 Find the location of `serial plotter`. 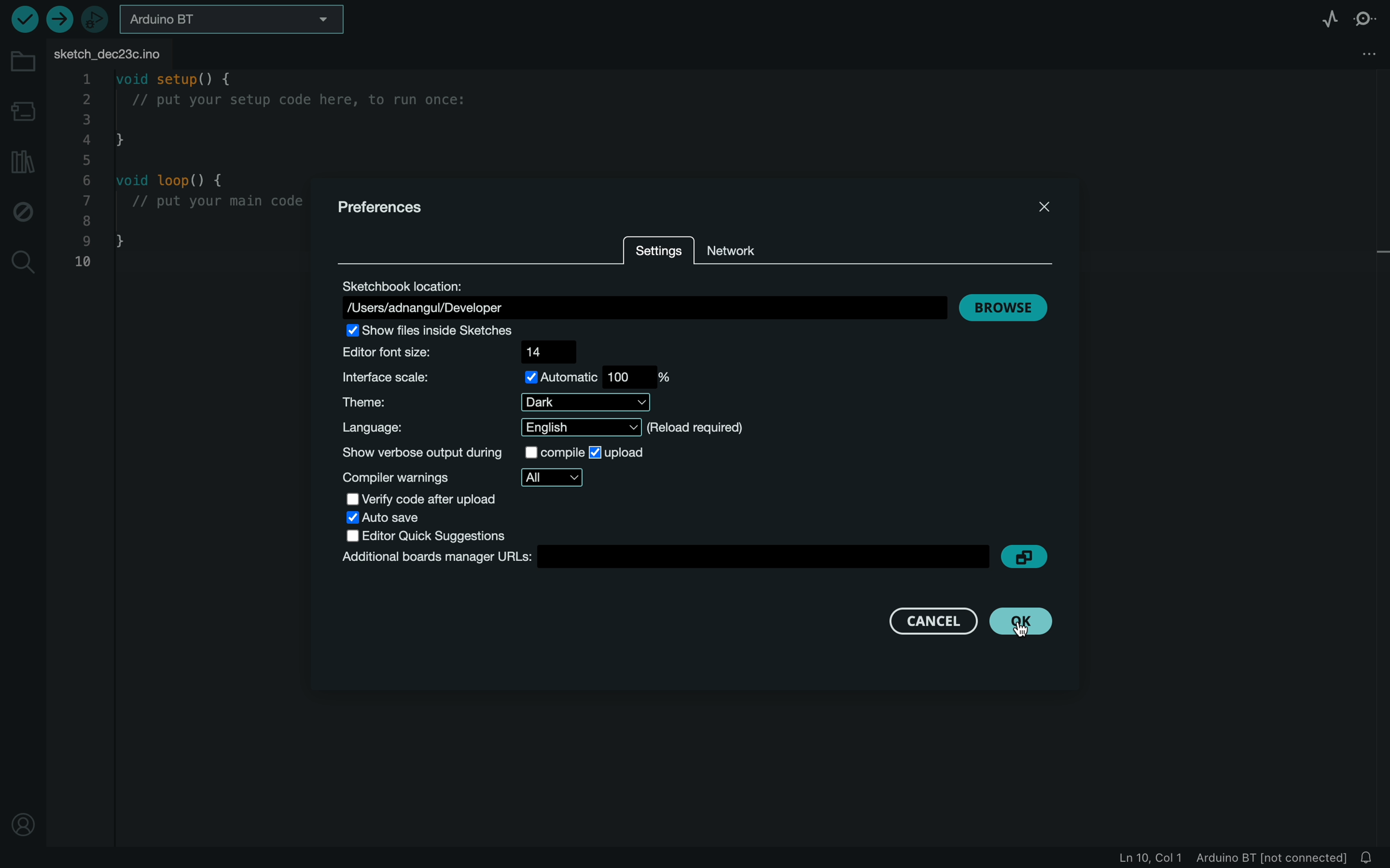

serial plotter is located at coordinates (1320, 17).